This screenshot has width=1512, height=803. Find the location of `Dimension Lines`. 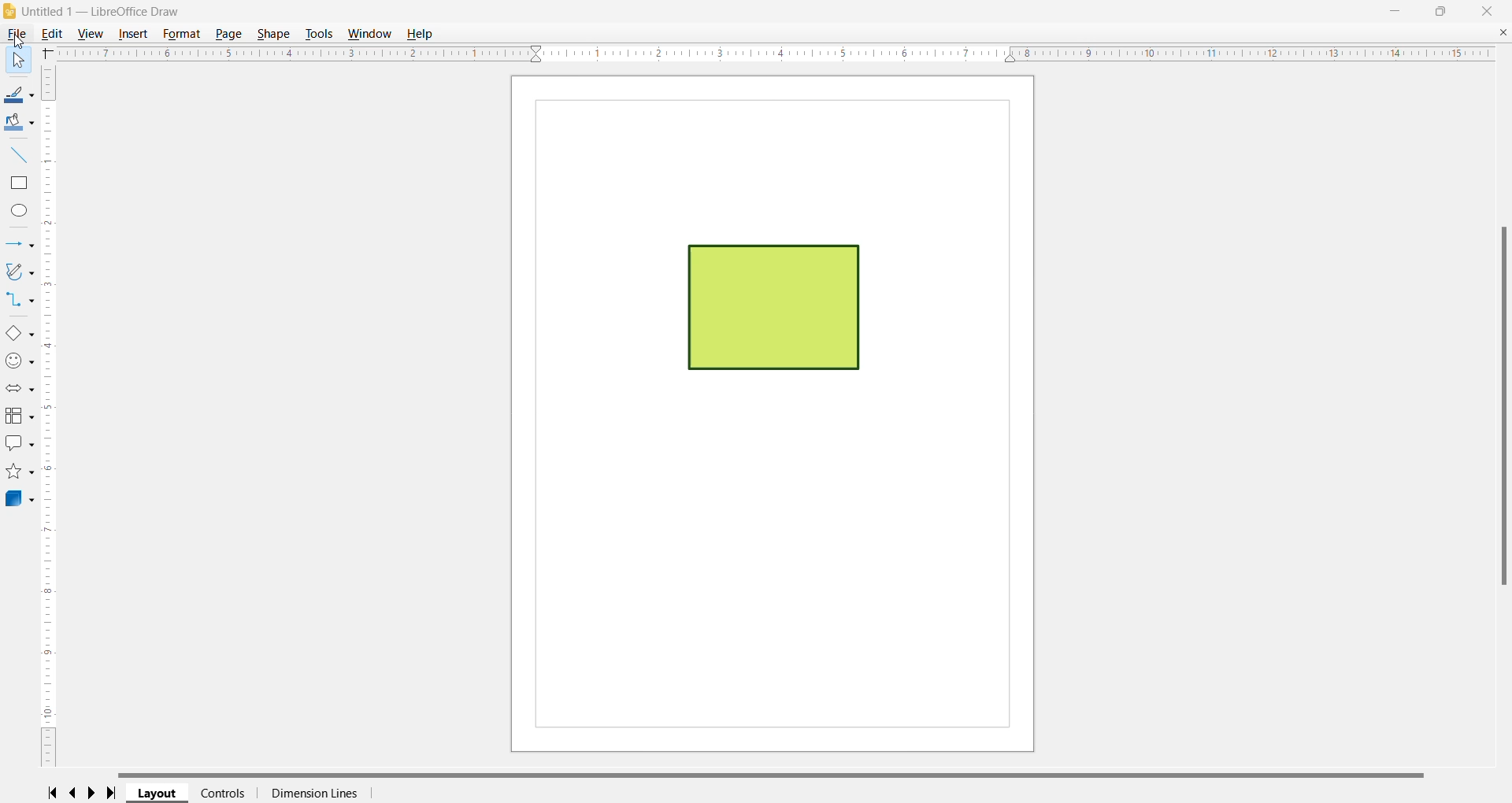

Dimension Lines is located at coordinates (313, 794).